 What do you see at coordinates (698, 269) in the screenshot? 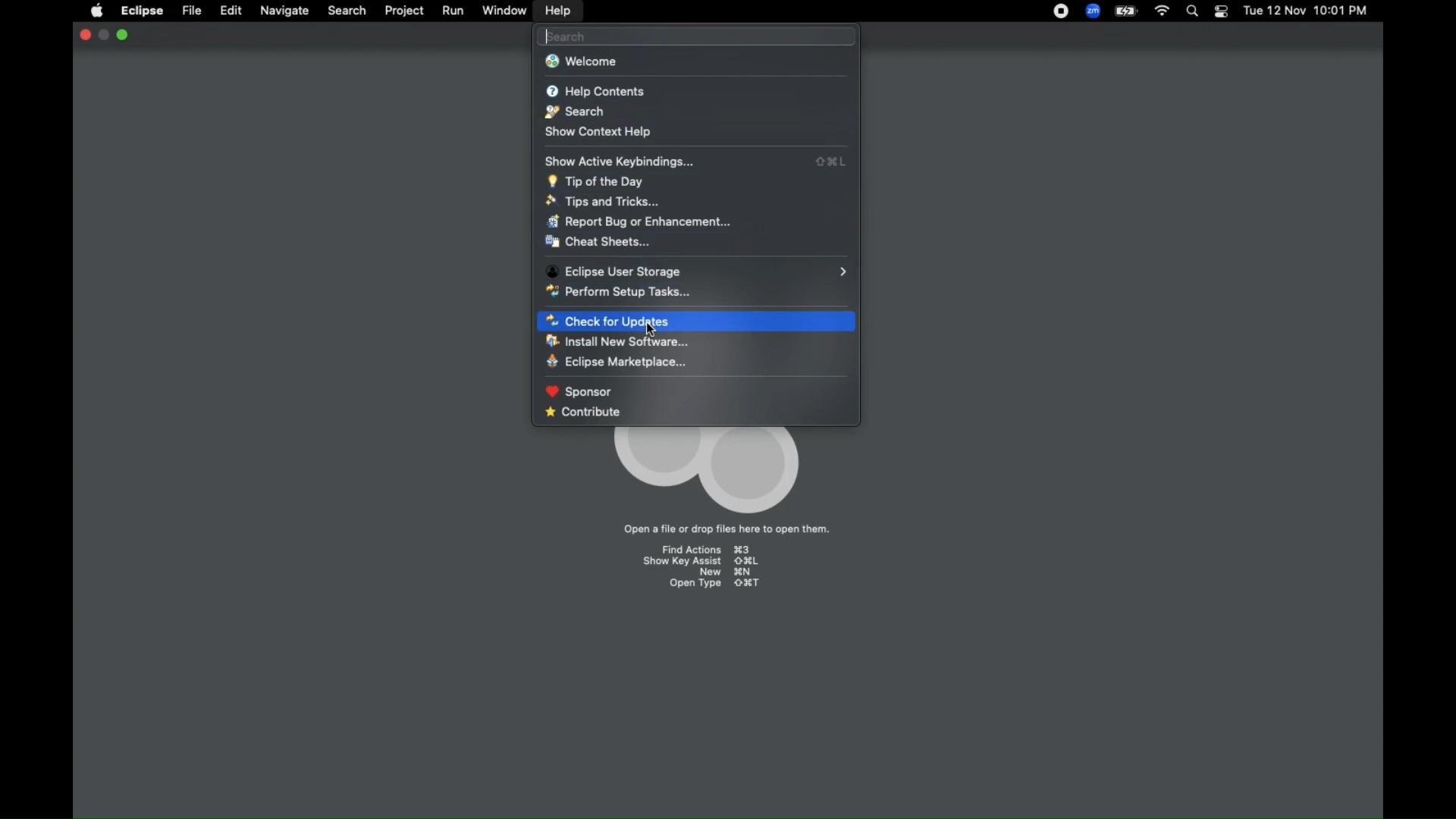
I see `Eclipse User Storage` at bounding box center [698, 269].